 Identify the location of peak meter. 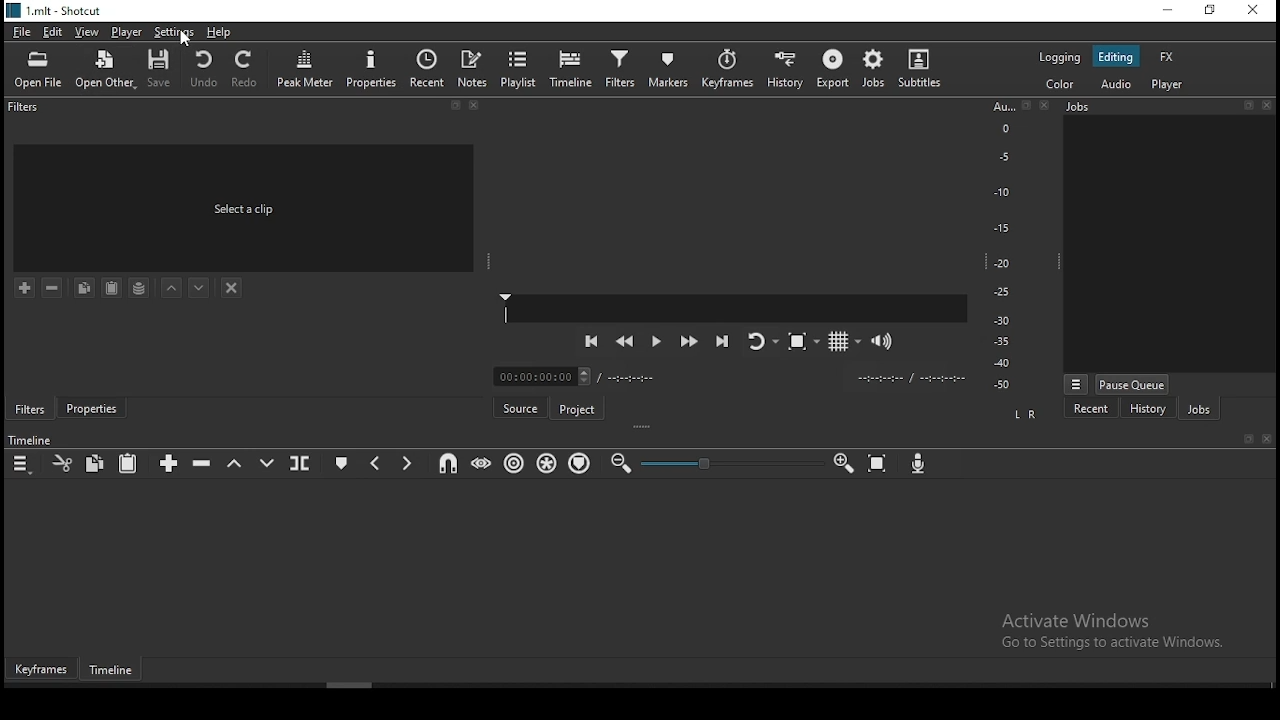
(306, 67).